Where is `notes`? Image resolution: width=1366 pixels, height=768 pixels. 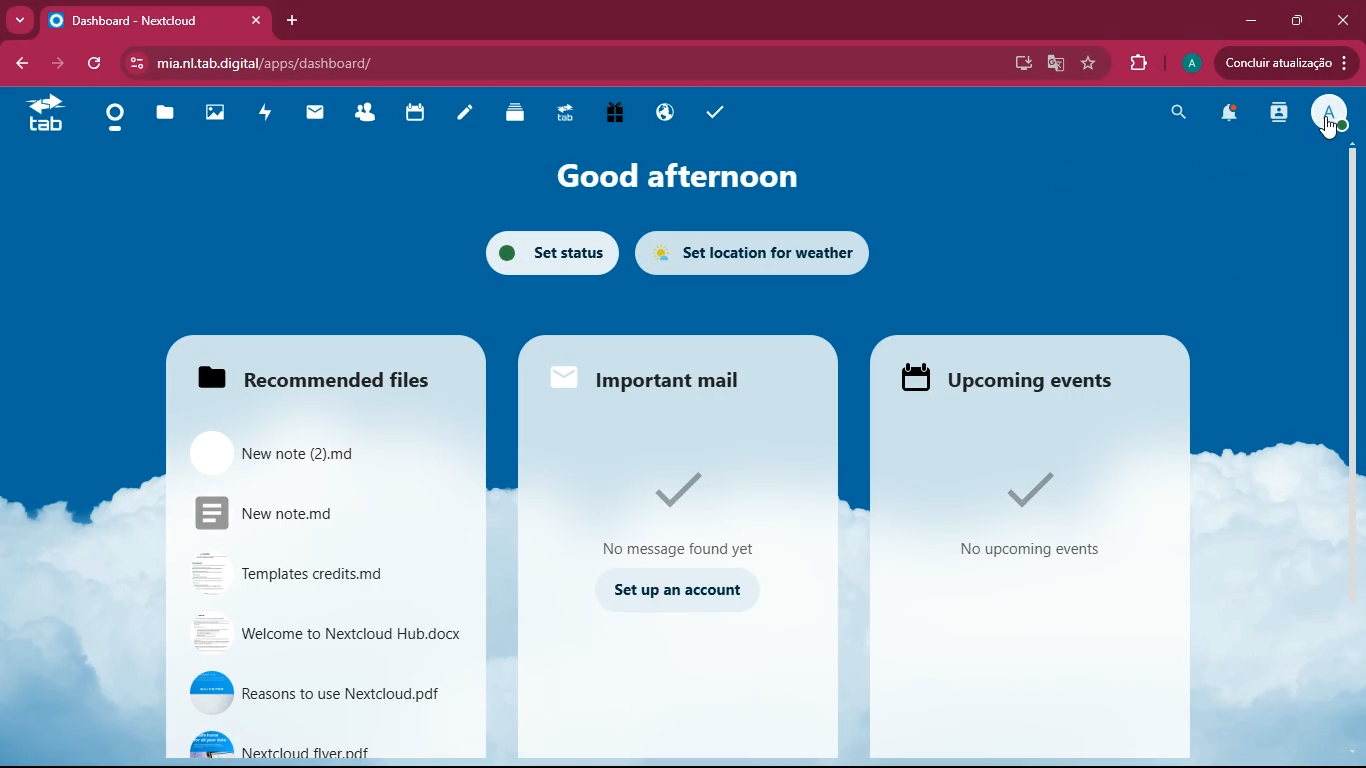
notes is located at coordinates (467, 112).